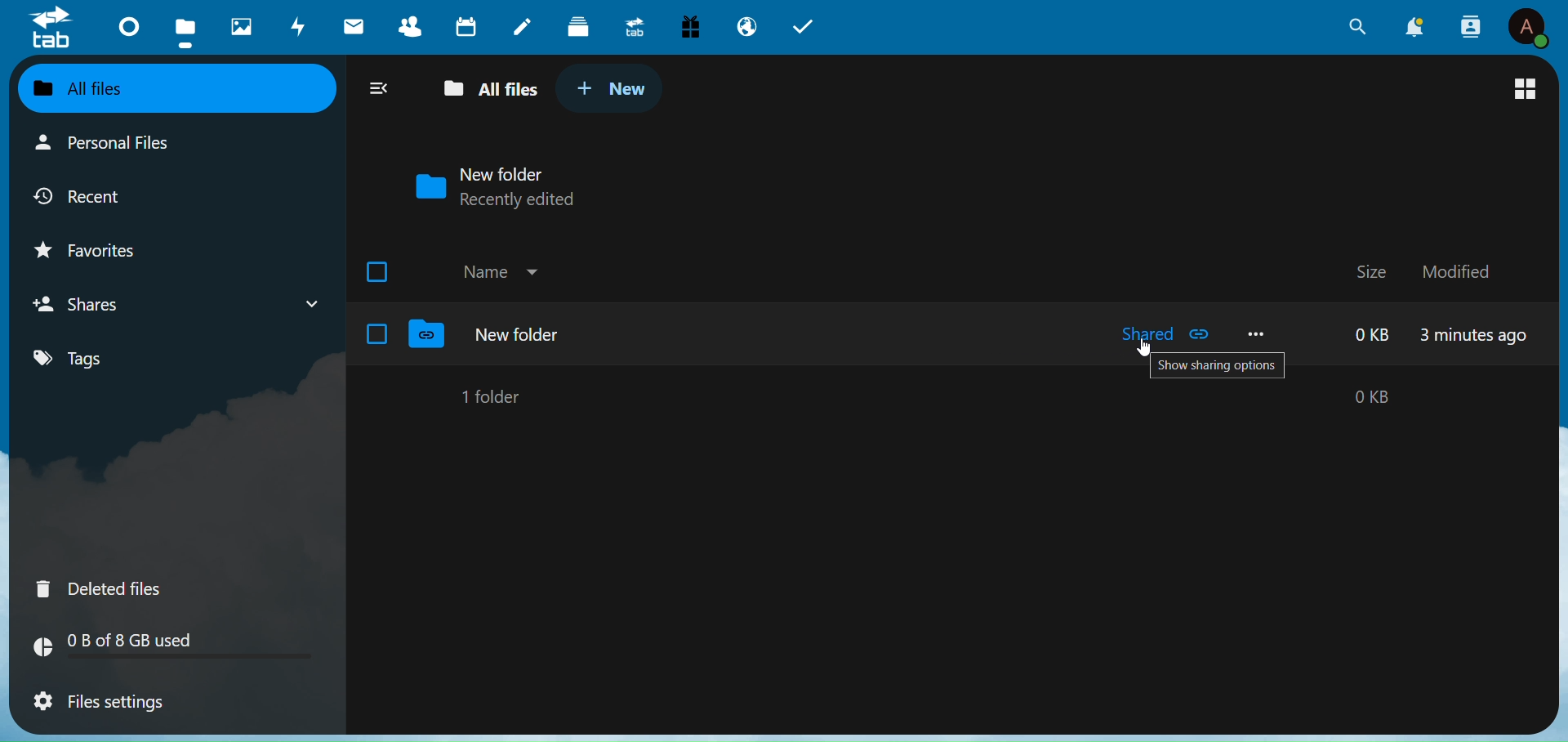 This screenshot has width=1568, height=742. What do you see at coordinates (1460, 270) in the screenshot?
I see `Modified` at bounding box center [1460, 270].